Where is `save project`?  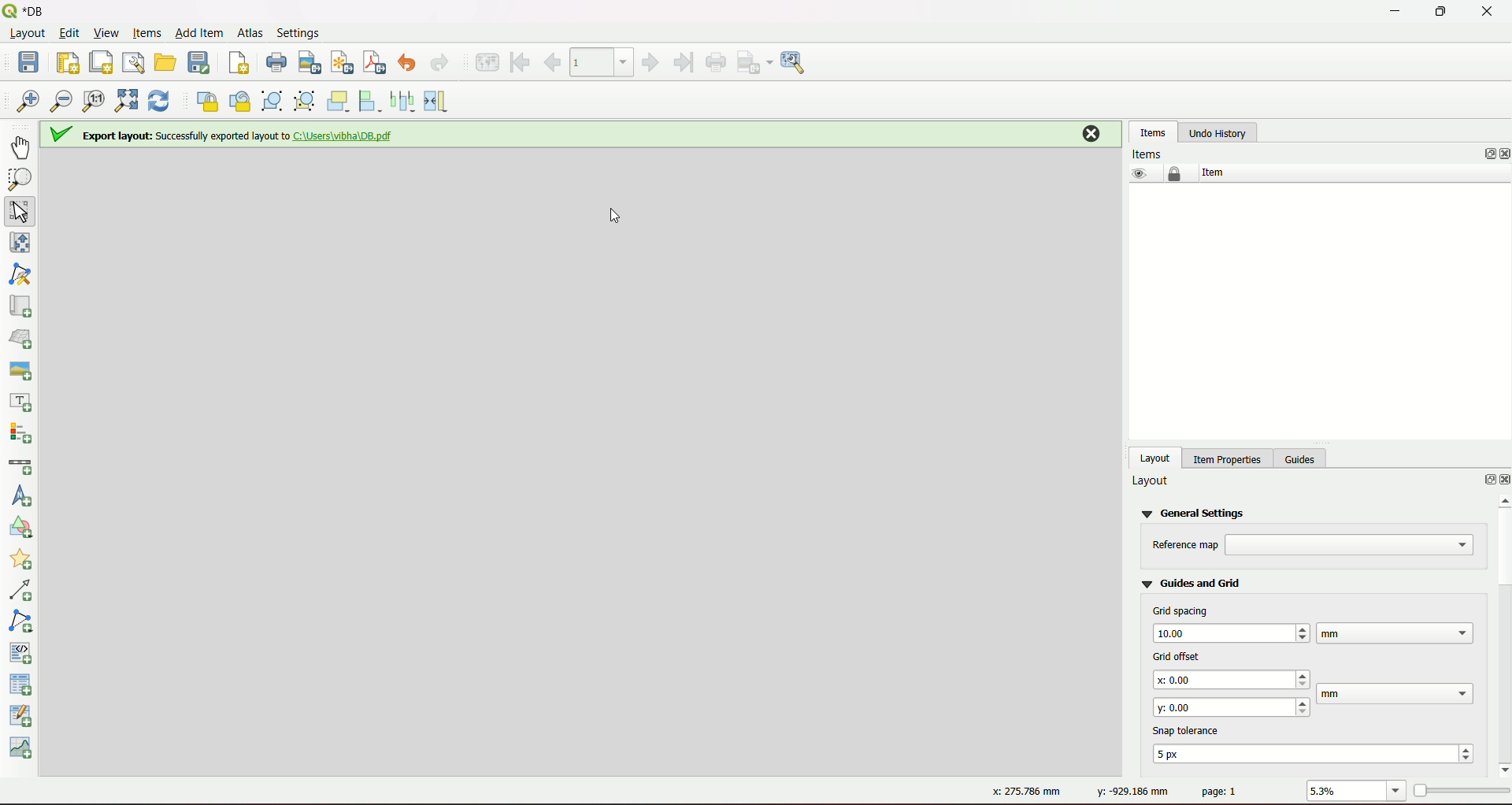
save project is located at coordinates (31, 64).